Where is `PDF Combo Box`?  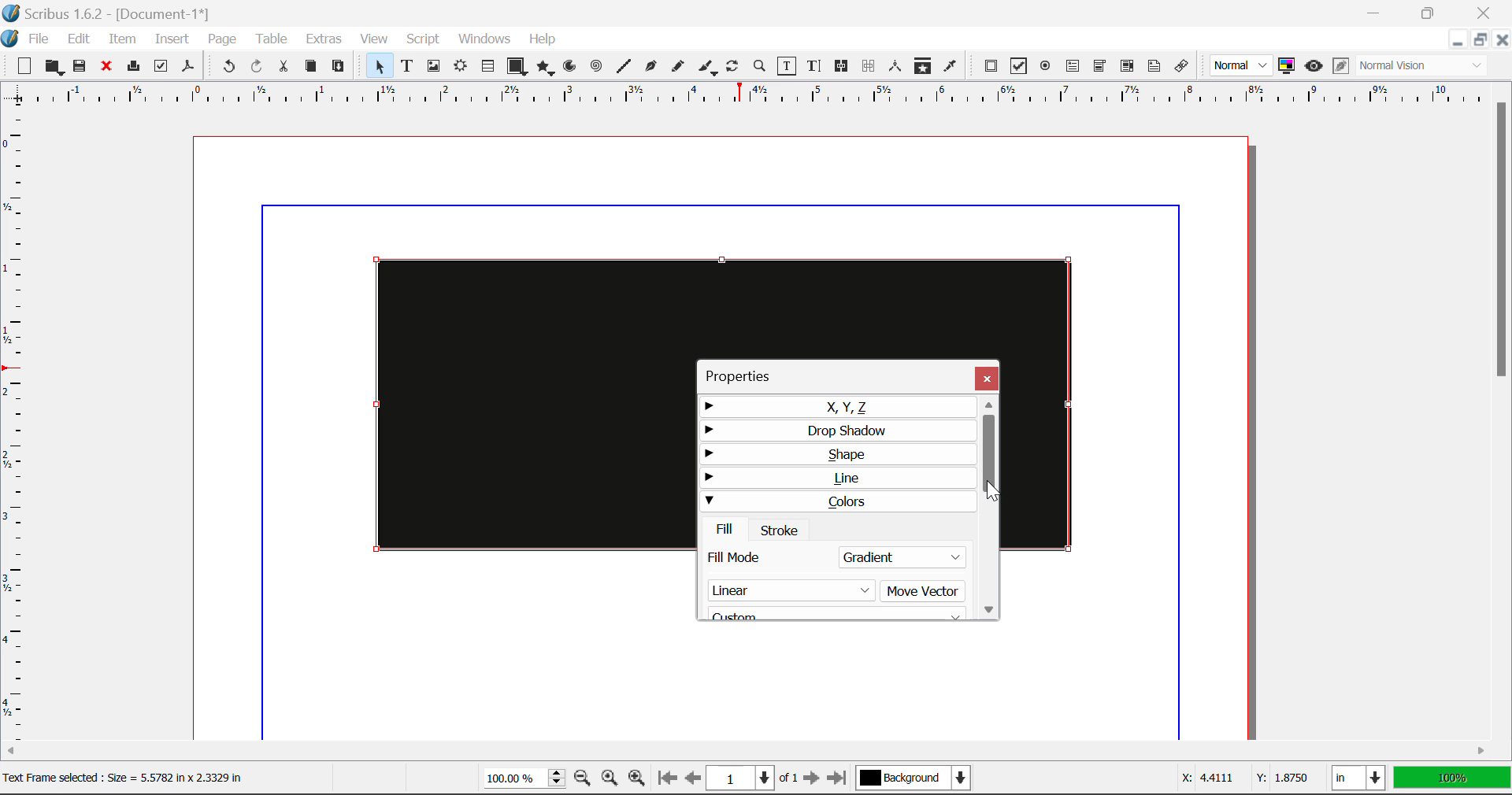
PDF Combo Box is located at coordinates (1099, 68).